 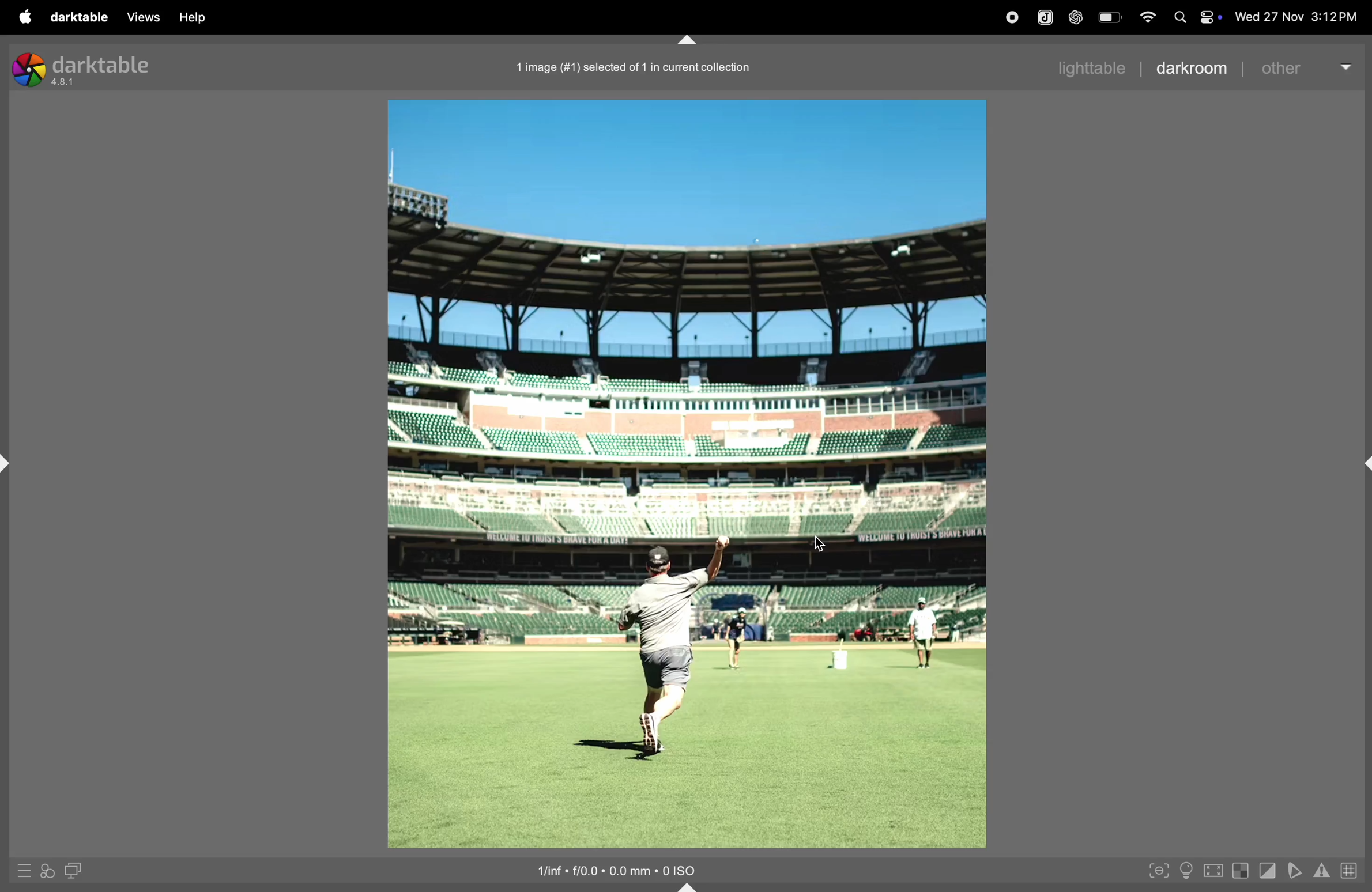 What do you see at coordinates (1148, 16) in the screenshot?
I see `wifi` at bounding box center [1148, 16].